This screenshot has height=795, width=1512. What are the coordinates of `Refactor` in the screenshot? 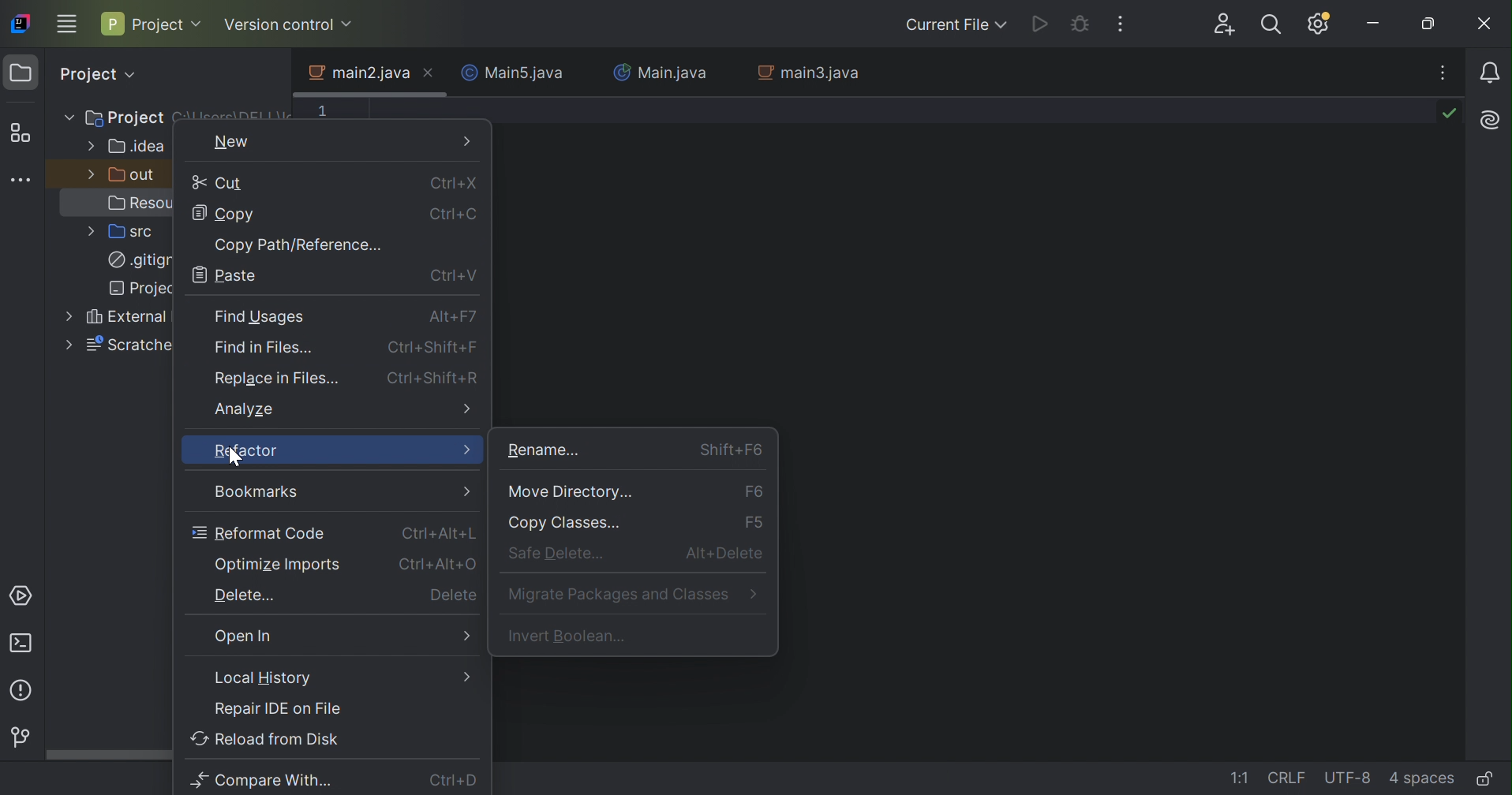 It's located at (242, 453).